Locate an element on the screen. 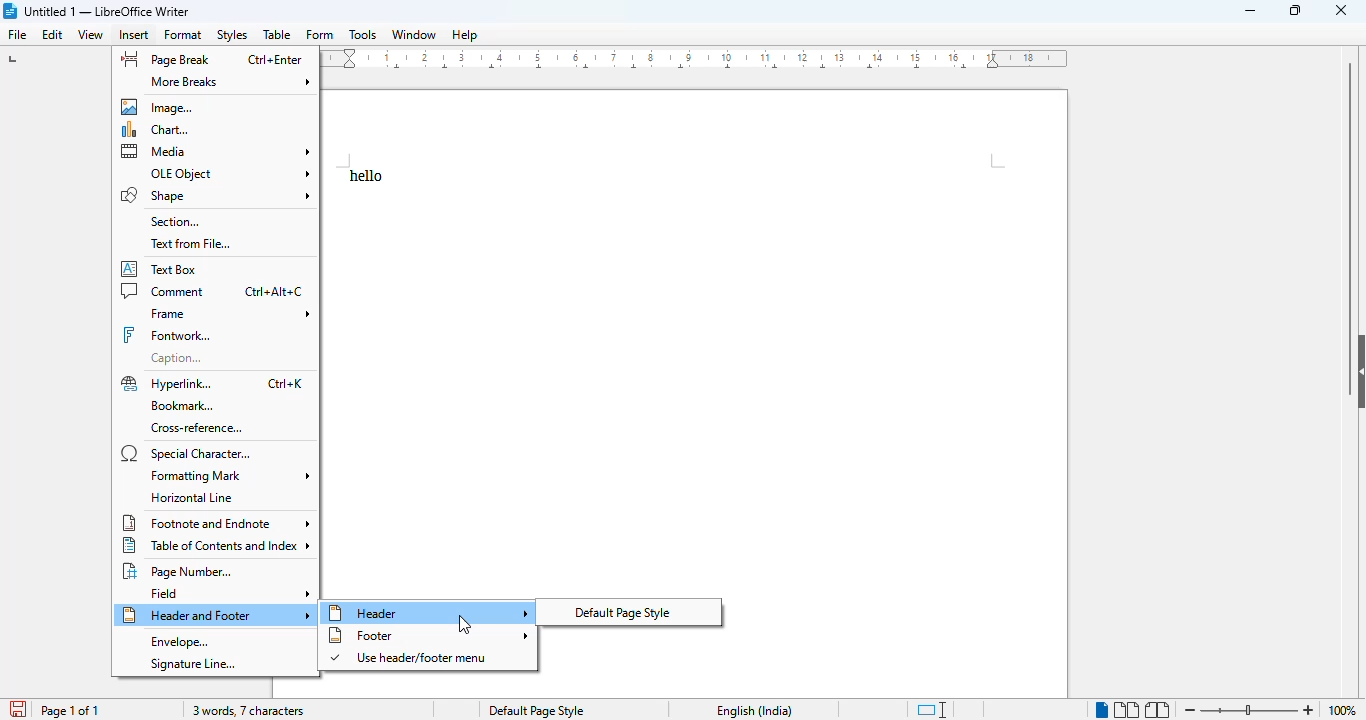 This screenshot has height=720, width=1366. zoom in or zoom out bar is located at coordinates (1248, 710).